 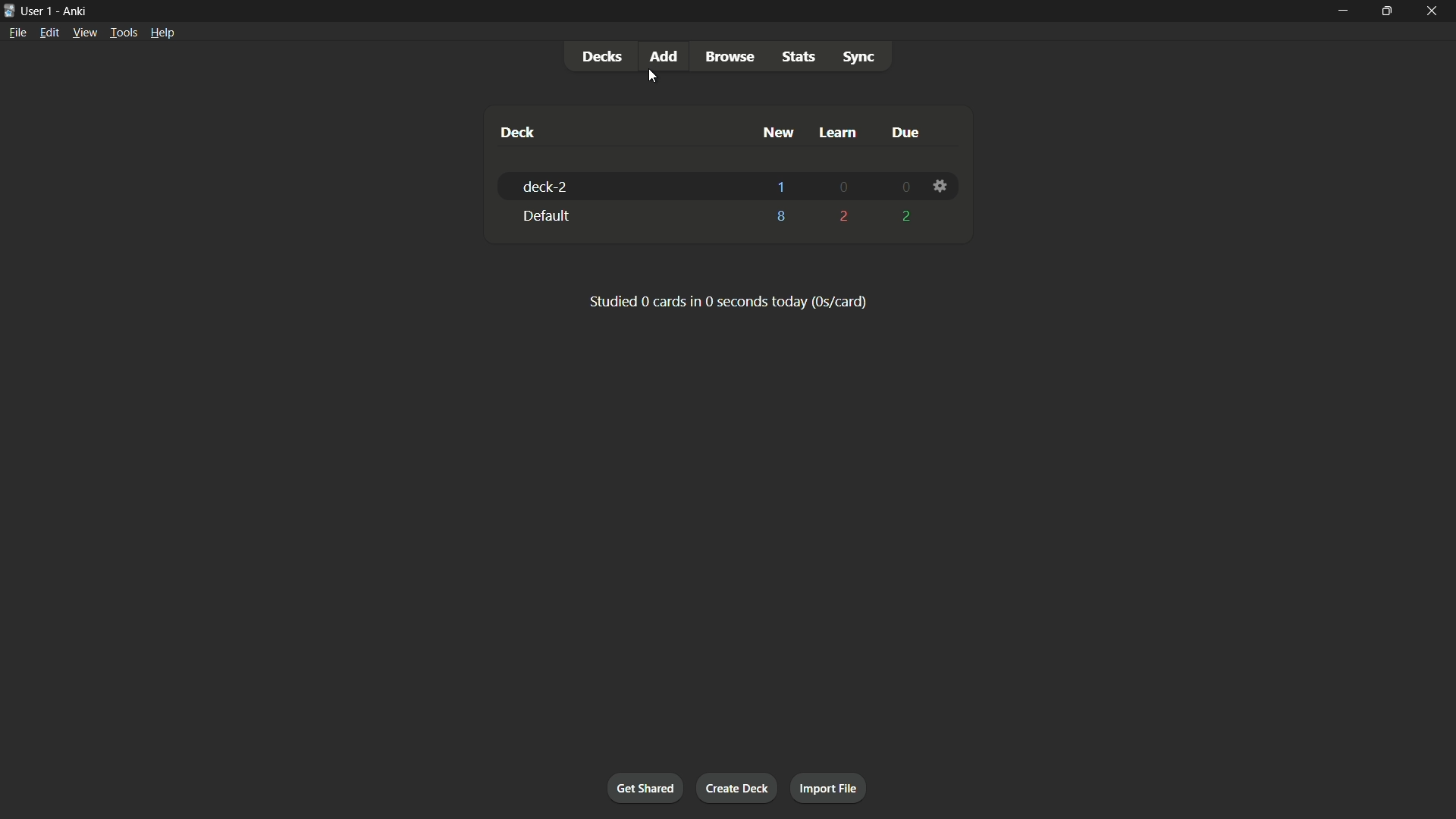 I want to click on file menu, so click(x=16, y=33).